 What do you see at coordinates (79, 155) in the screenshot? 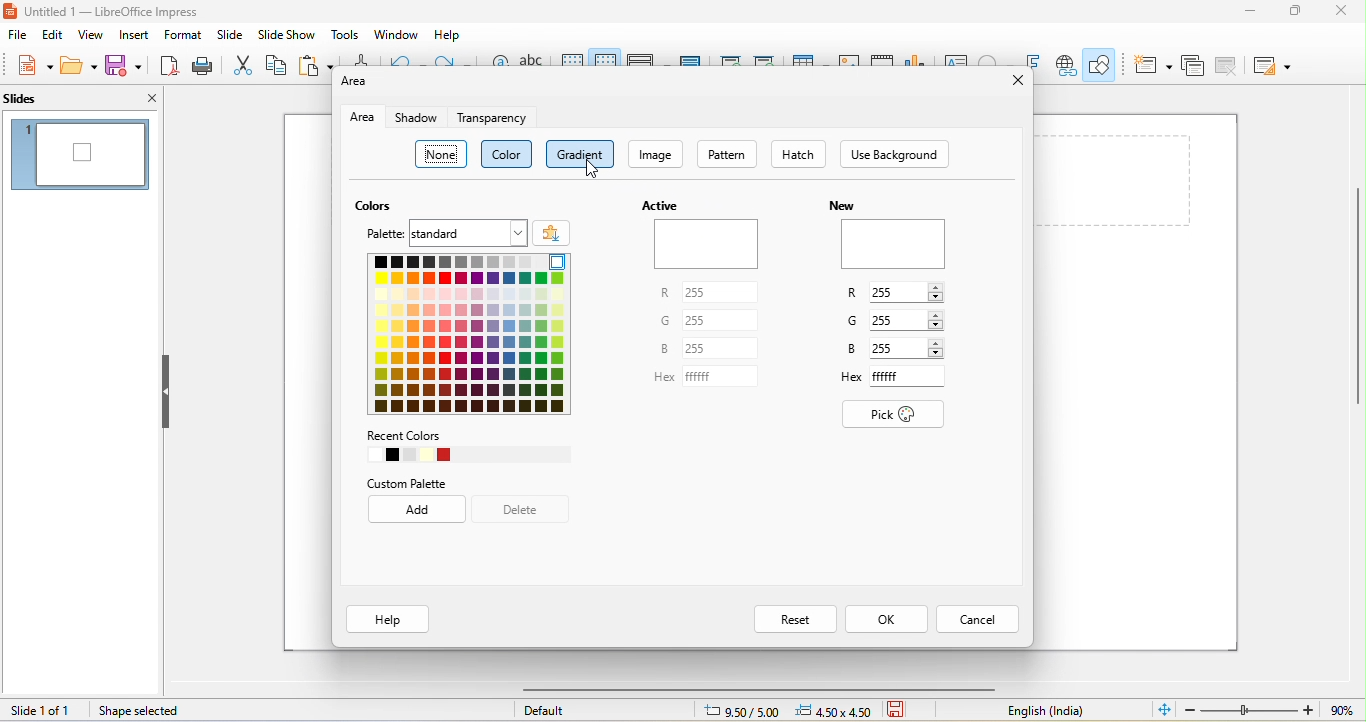
I see `slide in slide pane` at bounding box center [79, 155].